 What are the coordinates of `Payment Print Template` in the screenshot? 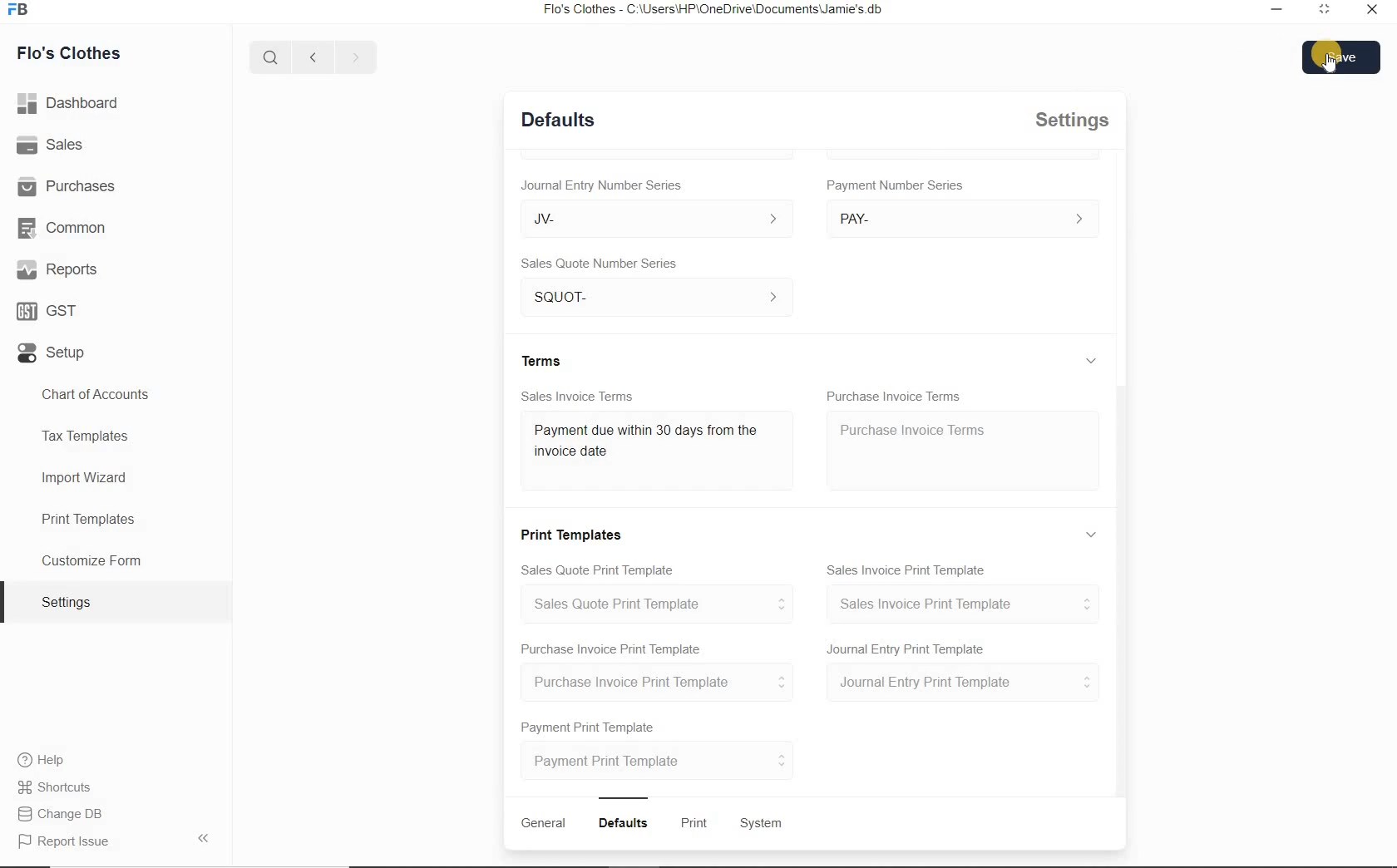 It's located at (659, 759).